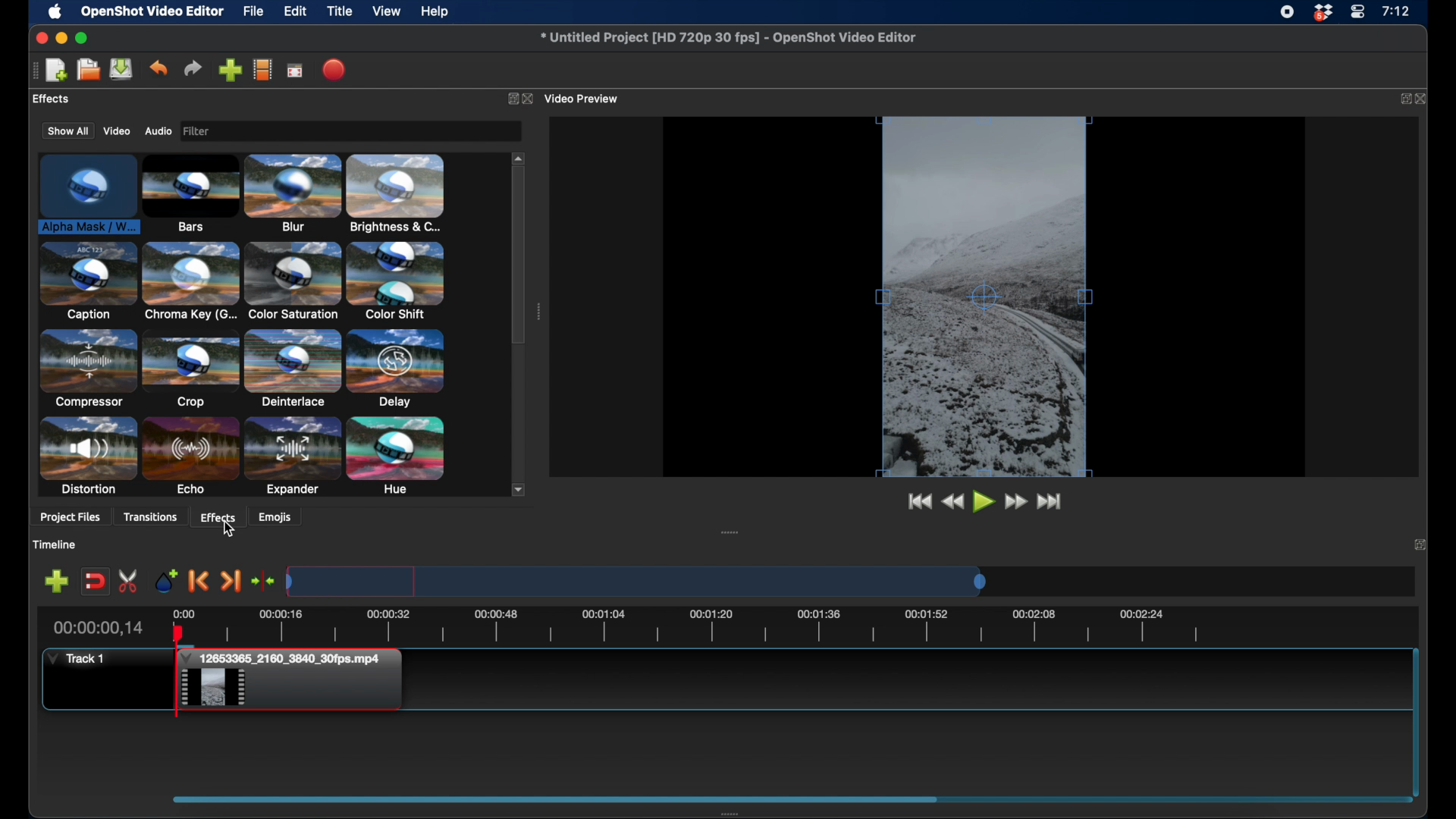 This screenshot has height=819, width=1456. What do you see at coordinates (99, 628) in the screenshot?
I see `current time indicator` at bounding box center [99, 628].